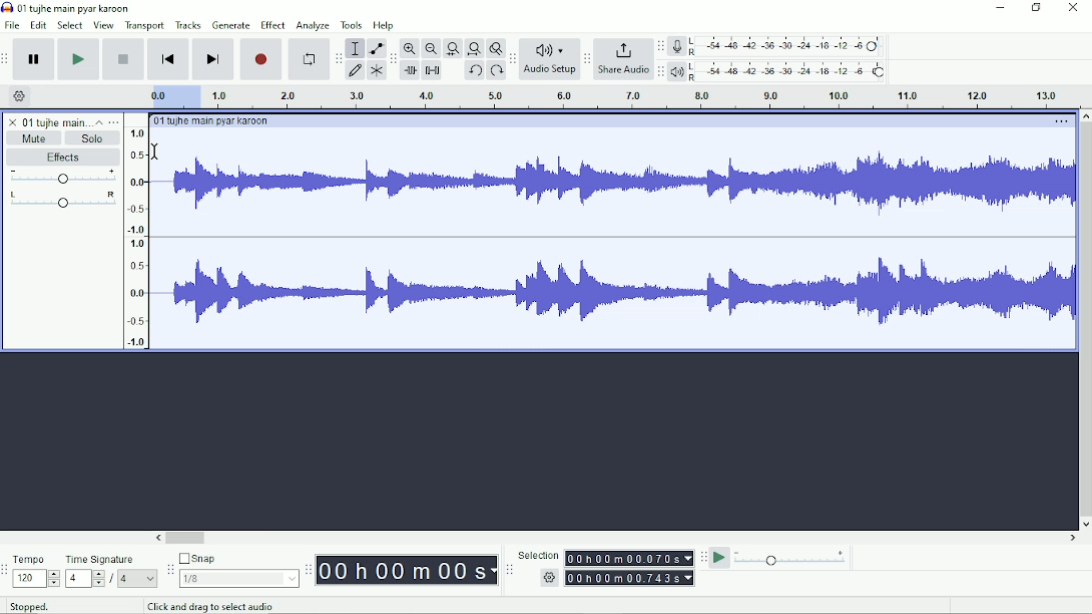 The image size is (1092, 614). What do you see at coordinates (84, 578) in the screenshot?
I see `Tempo Signature range` at bounding box center [84, 578].